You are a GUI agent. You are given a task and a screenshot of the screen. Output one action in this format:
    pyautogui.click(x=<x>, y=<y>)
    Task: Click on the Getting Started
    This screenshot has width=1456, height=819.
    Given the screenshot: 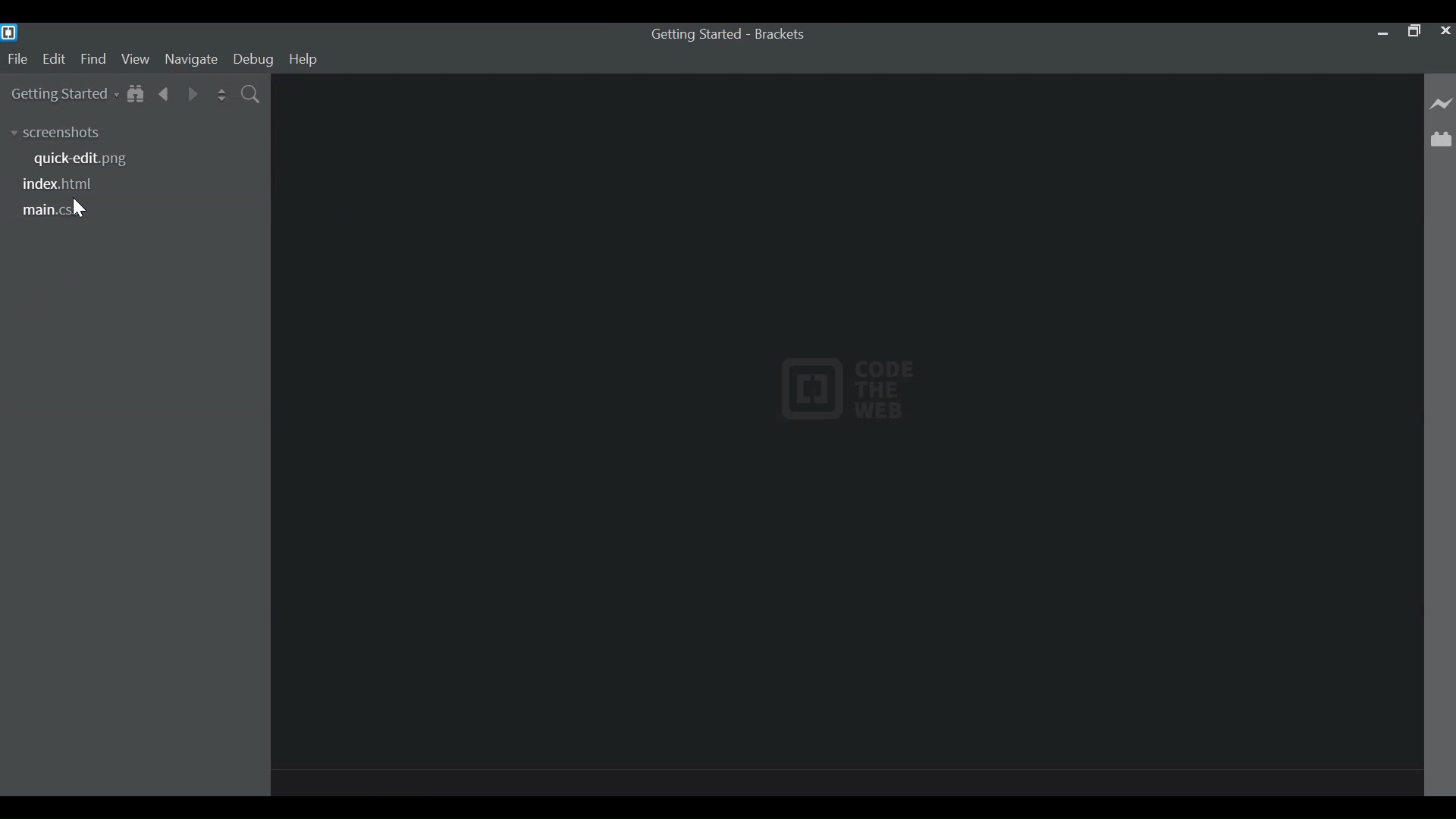 What is the action you would take?
    pyautogui.click(x=64, y=93)
    